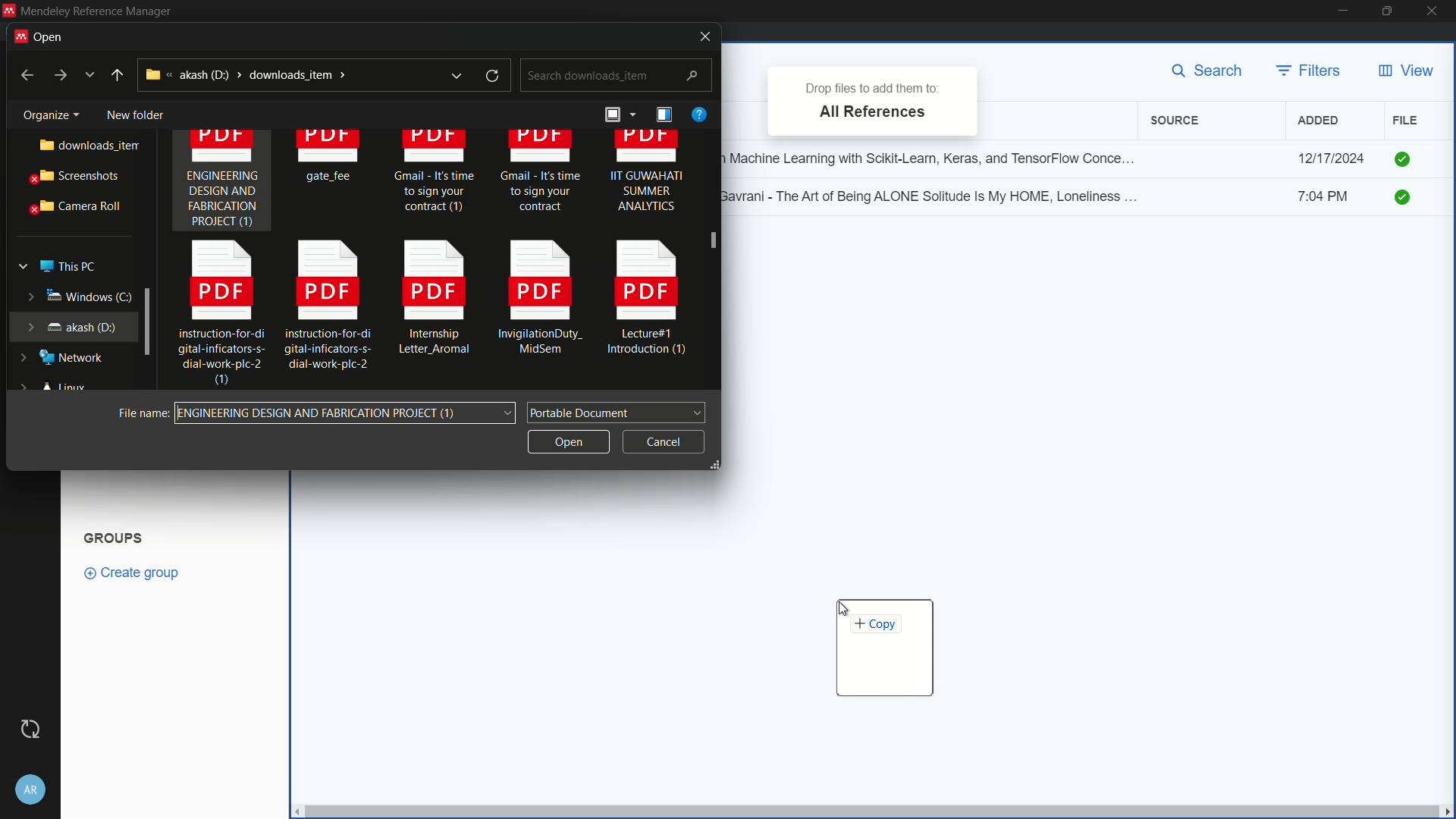 Image resolution: width=1456 pixels, height=819 pixels. What do you see at coordinates (870, 811) in the screenshot?
I see `vertical scroll bar` at bounding box center [870, 811].